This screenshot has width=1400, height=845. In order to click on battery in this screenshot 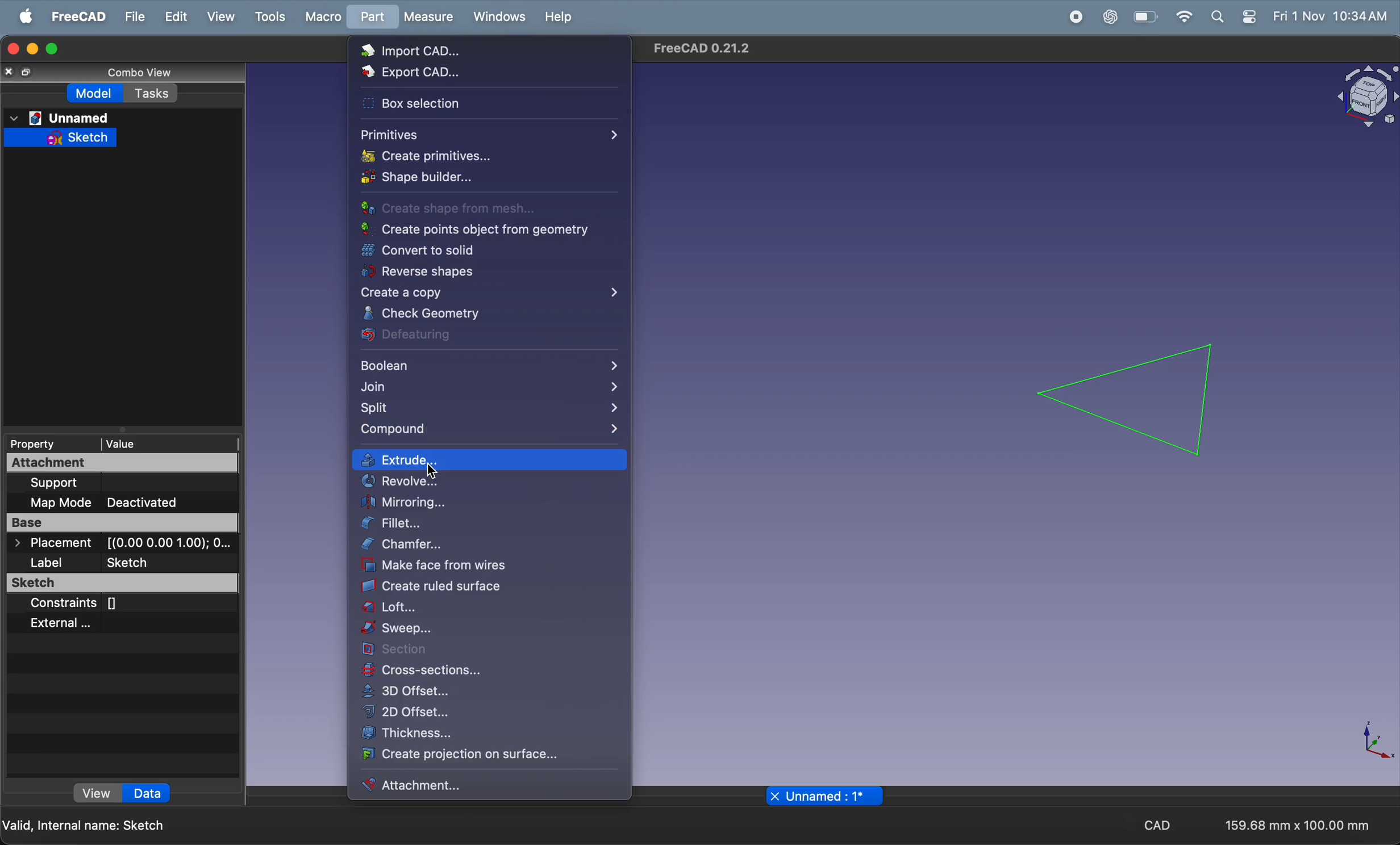, I will do `click(1148, 17)`.